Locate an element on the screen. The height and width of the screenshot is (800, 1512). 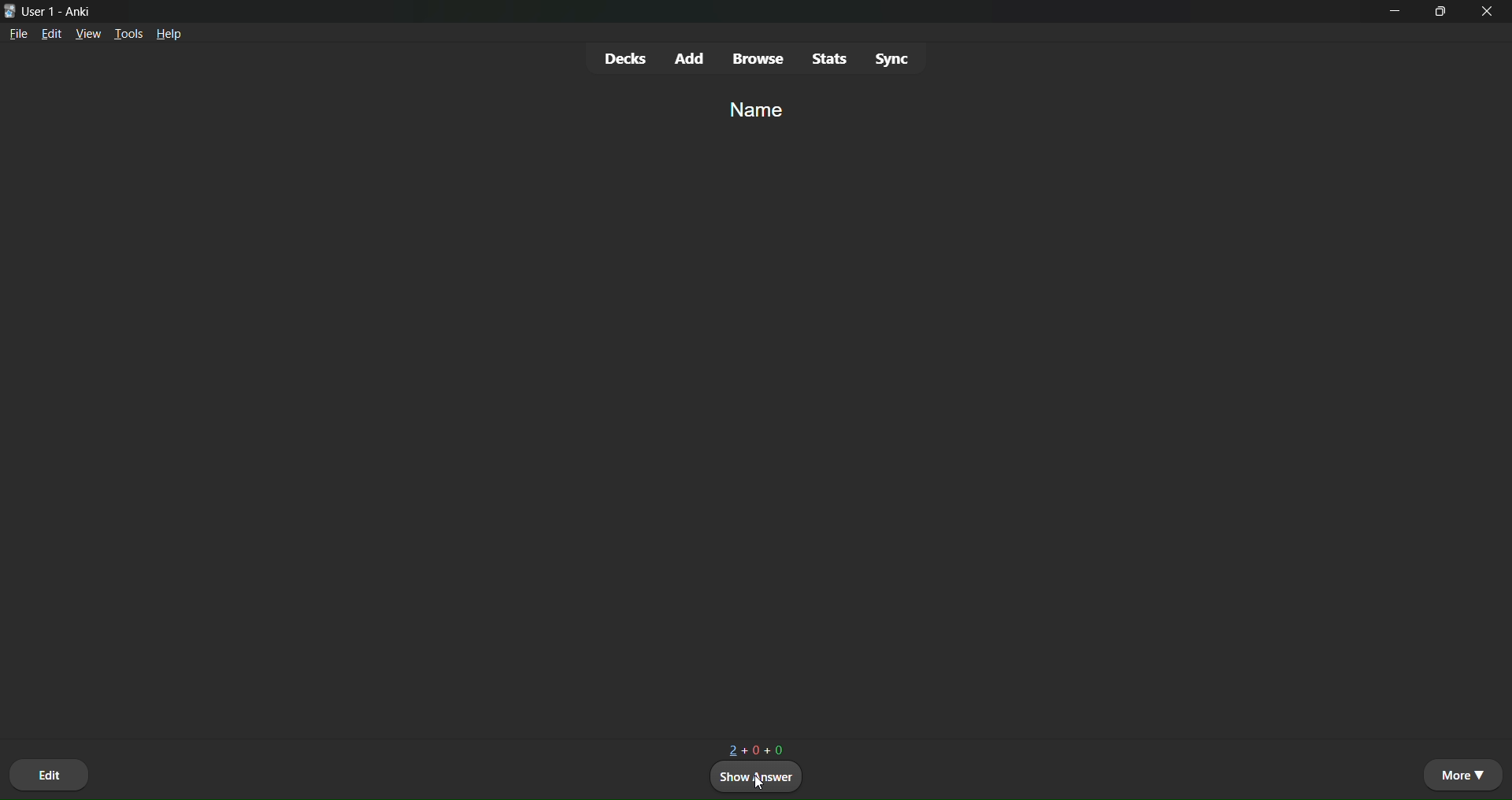
more is located at coordinates (1462, 774).